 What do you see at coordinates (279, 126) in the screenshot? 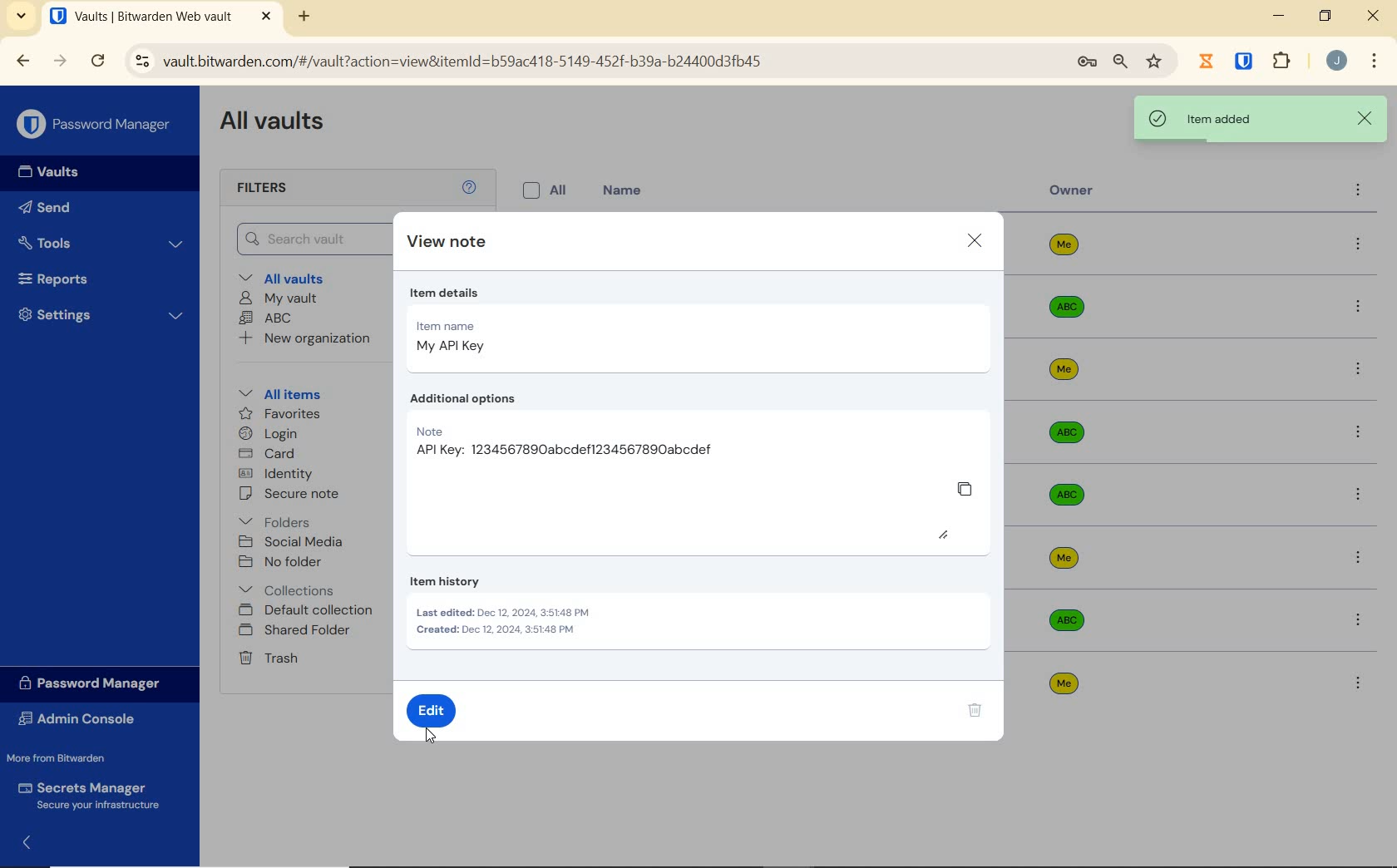
I see `All Vaults` at bounding box center [279, 126].